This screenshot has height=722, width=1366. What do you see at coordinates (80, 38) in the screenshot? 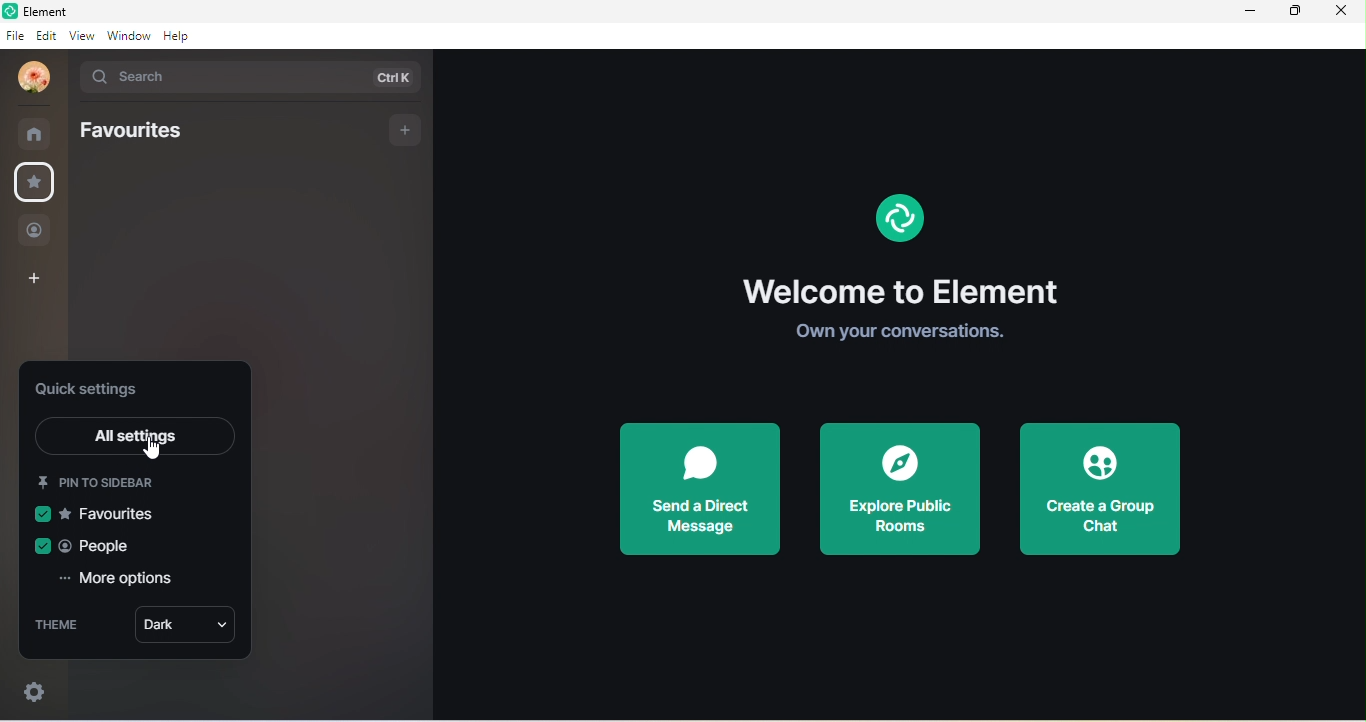
I see `view` at bounding box center [80, 38].